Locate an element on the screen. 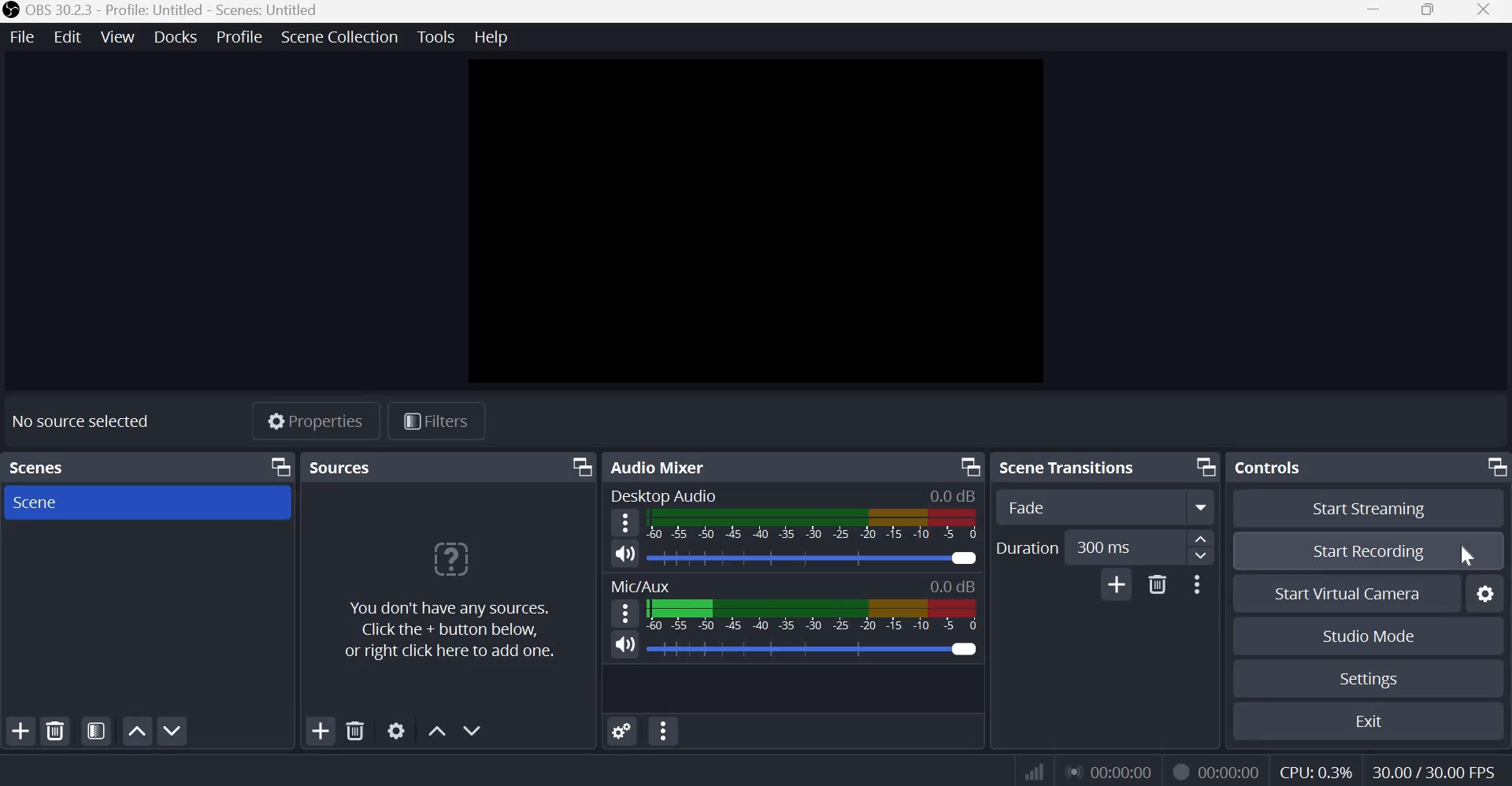 The image size is (1512, 786). Open scene filters is located at coordinates (97, 732).